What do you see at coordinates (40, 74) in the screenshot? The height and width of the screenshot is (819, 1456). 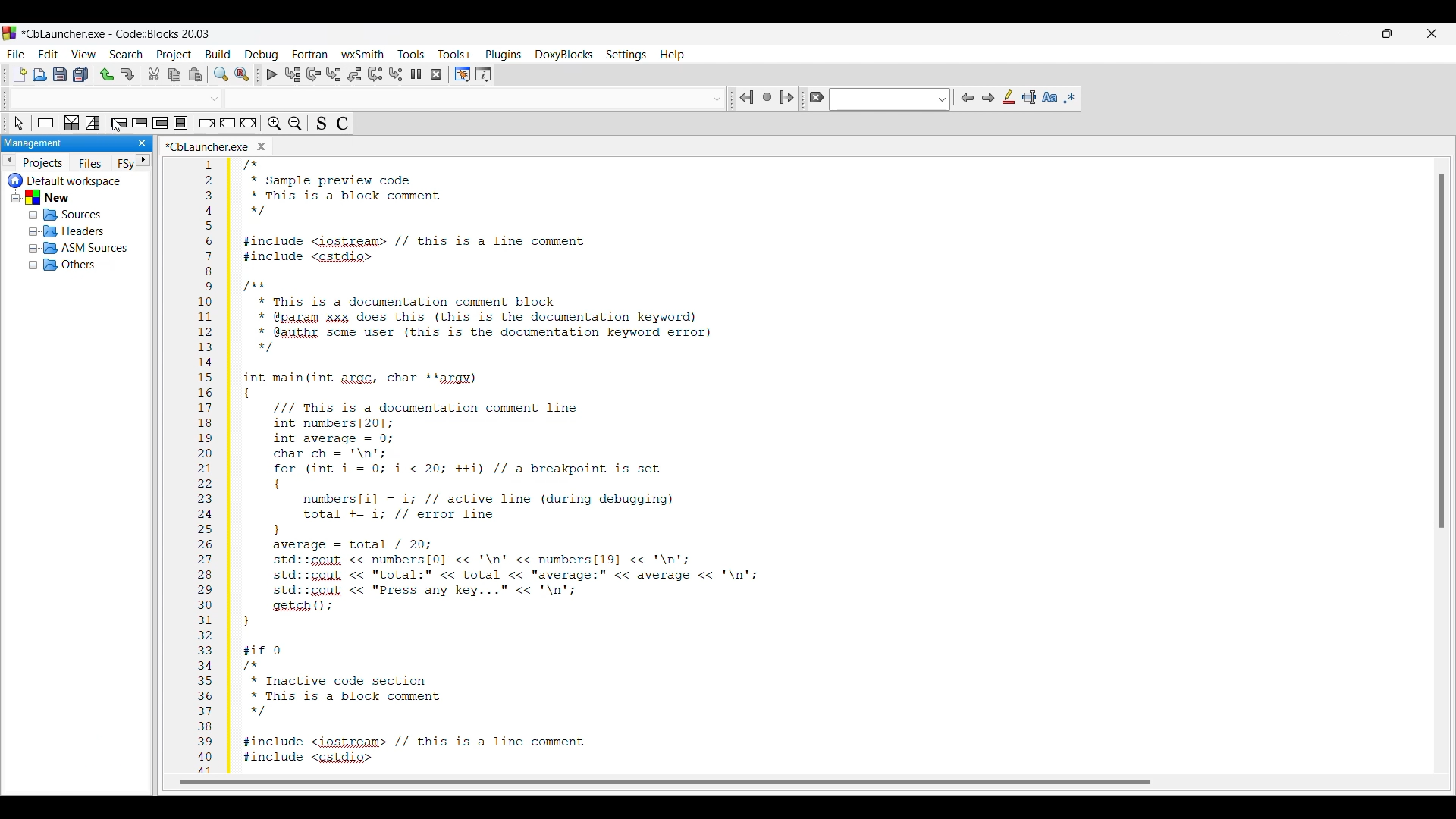 I see `Open` at bounding box center [40, 74].